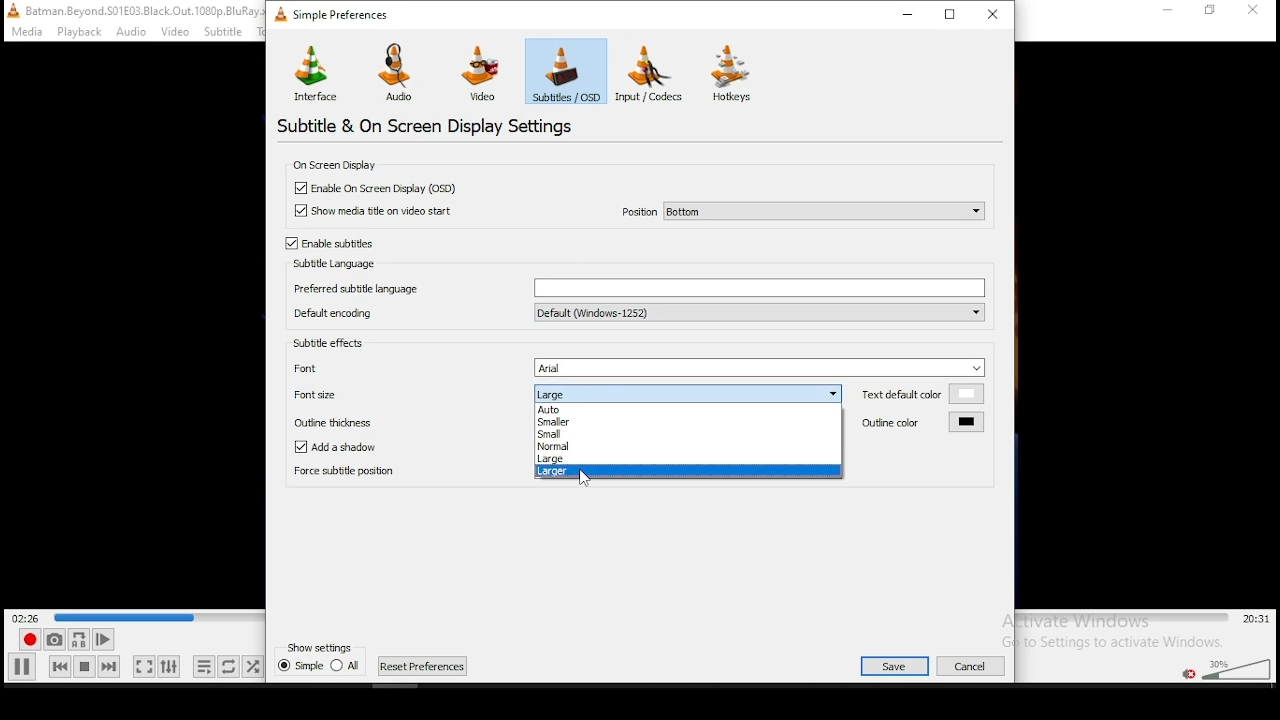 This screenshot has height=720, width=1280. Describe the element at coordinates (402, 472) in the screenshot. I see `force subtitle position` at that location.